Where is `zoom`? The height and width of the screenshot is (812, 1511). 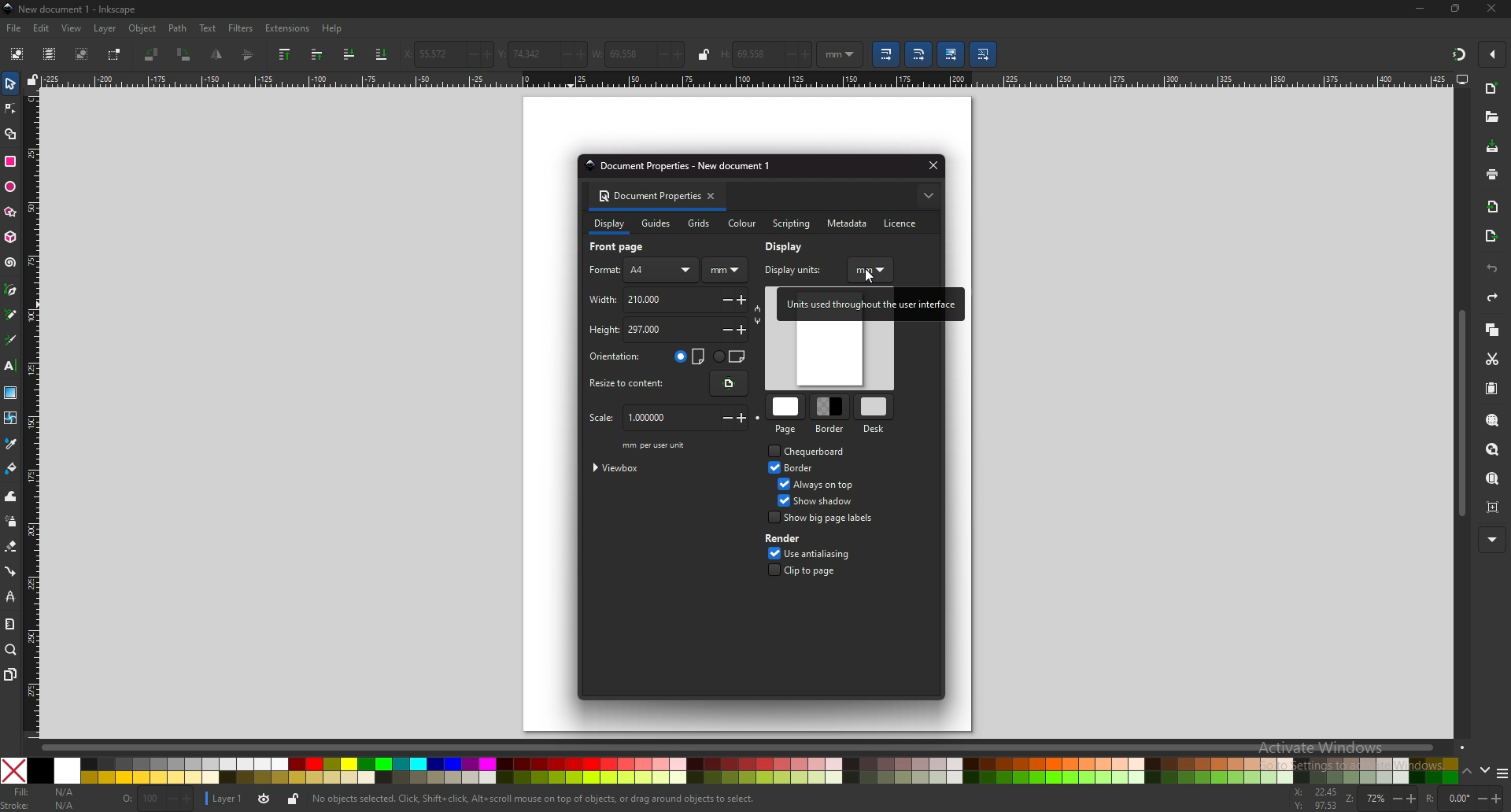
zoom is located at coordinates (10, 650).